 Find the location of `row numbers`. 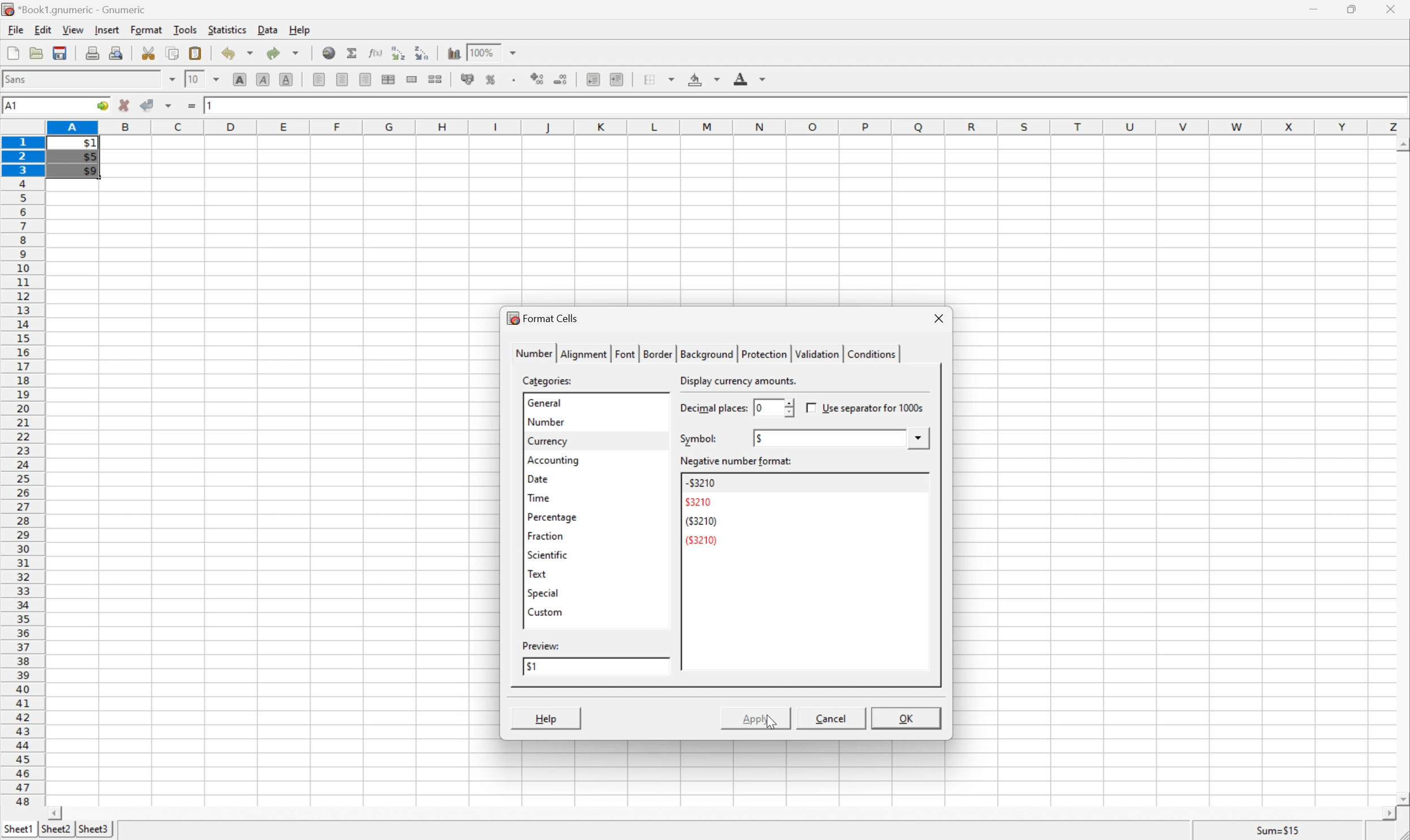

row numbers is located at coordinates (22, 472).